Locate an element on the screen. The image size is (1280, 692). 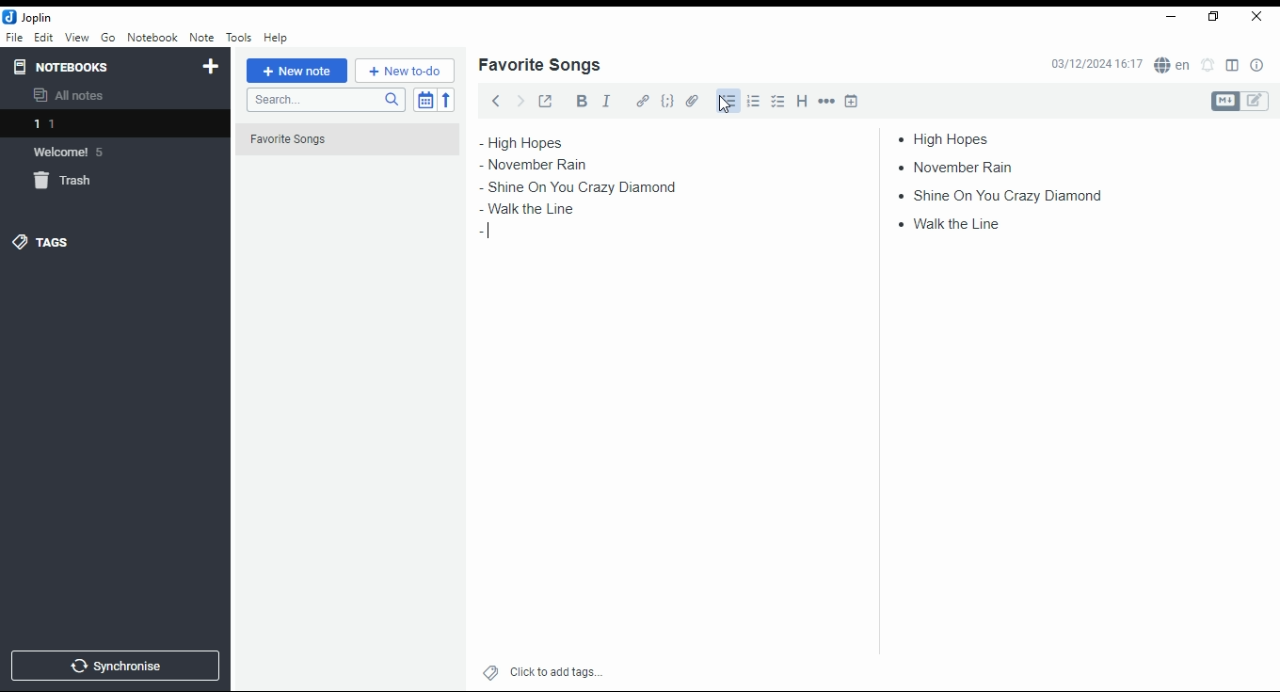
notebooks is located at coordinates (97, 66).